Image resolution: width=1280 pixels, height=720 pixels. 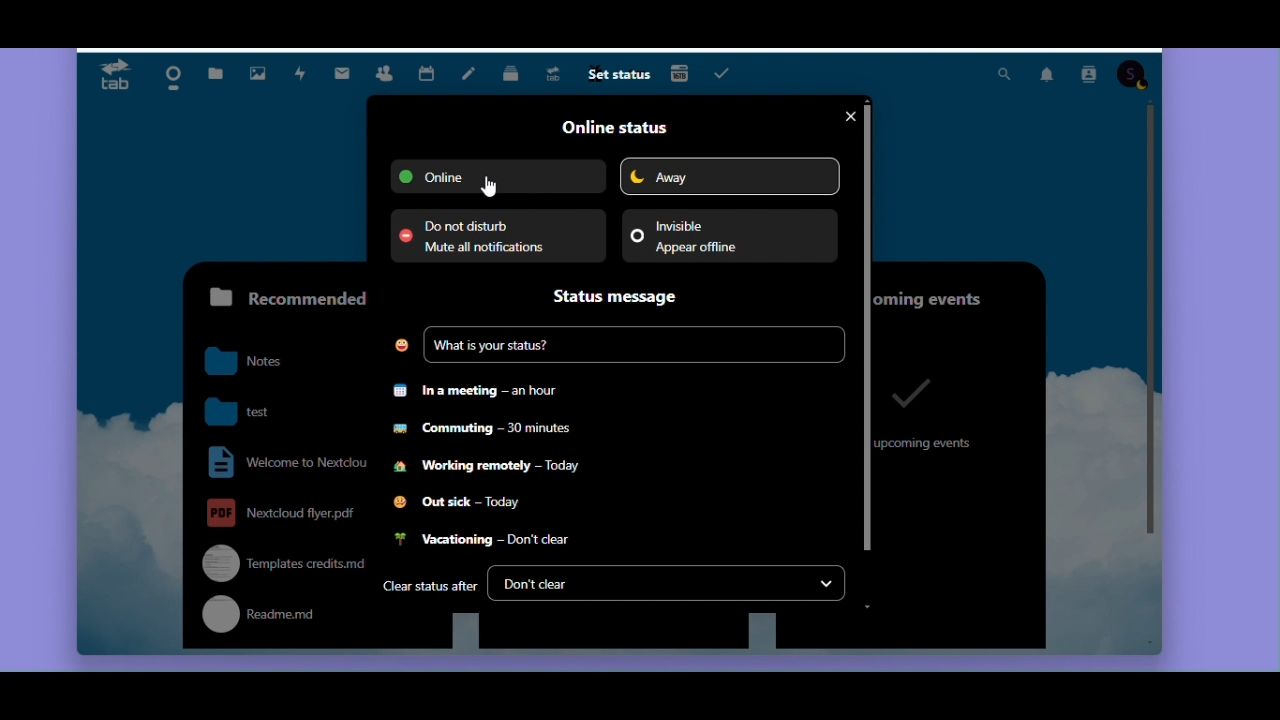 What do you see at coordinates (1088, 76) in the screenshot?
I see `Contact search` at bounding box center [1088, 76].